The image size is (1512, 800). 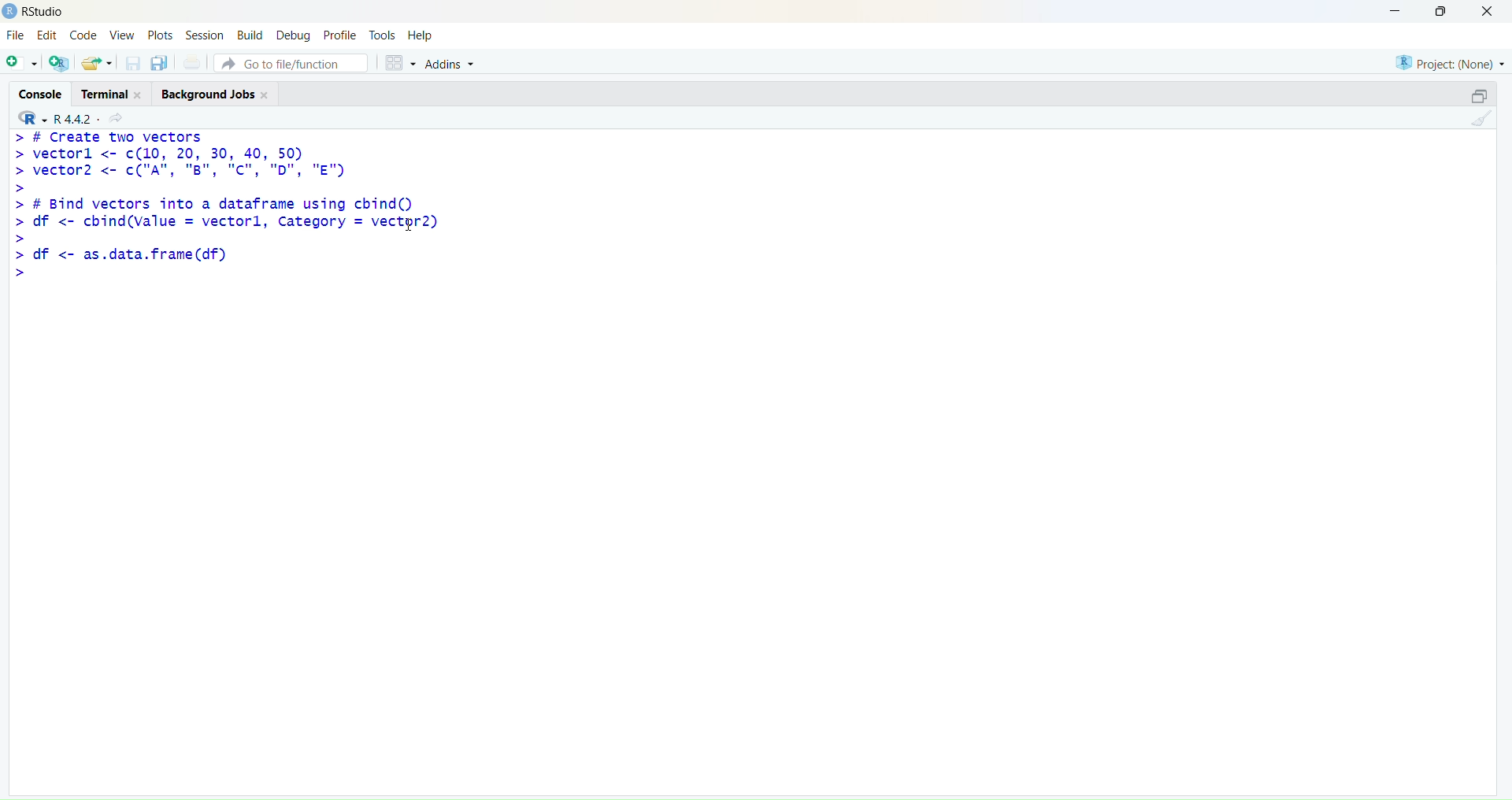 What do you see at coordinates (48, 35) in the screenshot?
I see `Edit` at bounding box center [48, 35].